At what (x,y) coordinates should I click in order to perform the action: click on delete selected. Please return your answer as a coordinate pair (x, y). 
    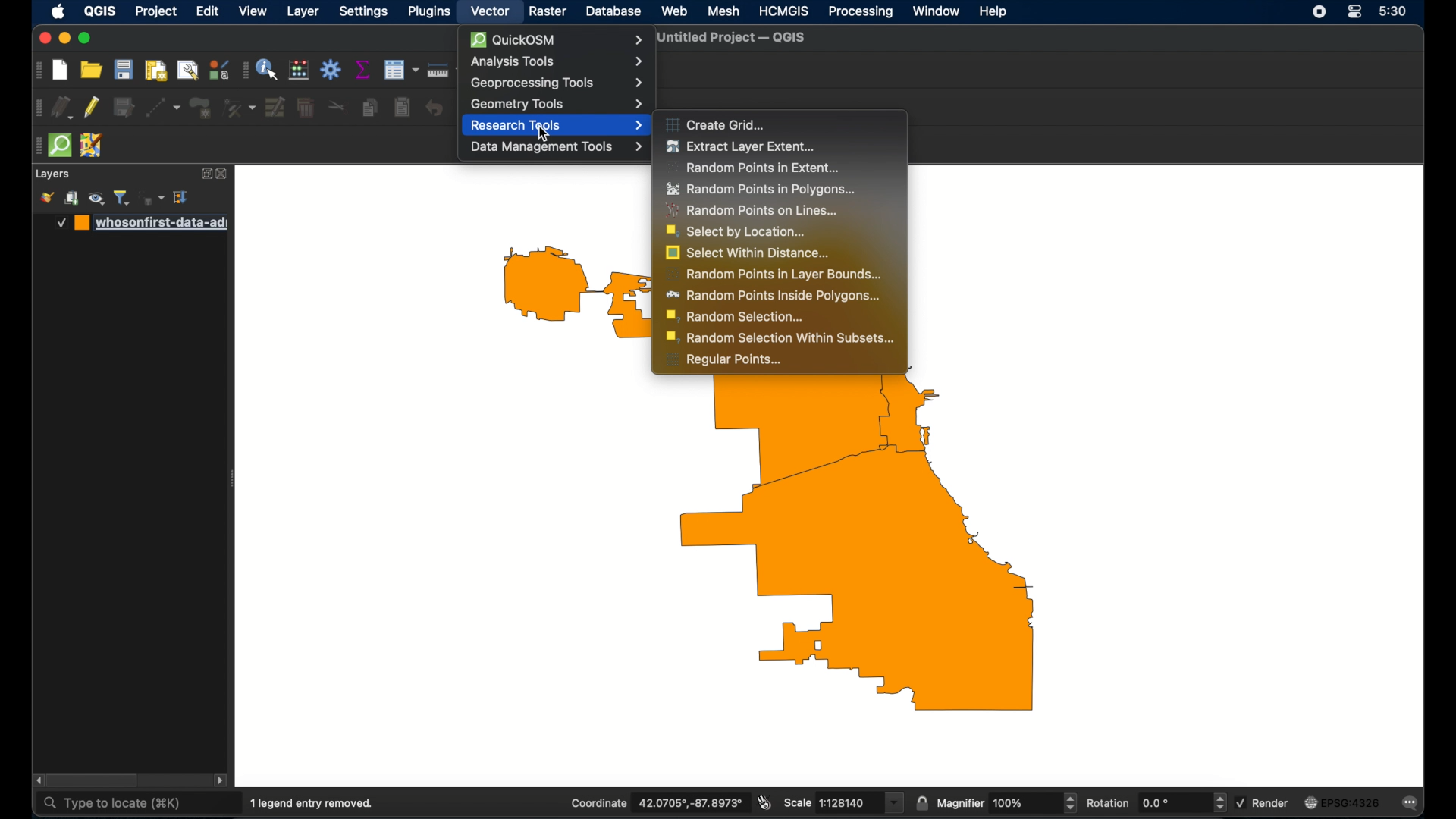
    Looking at the image, I should click on (306, 106).